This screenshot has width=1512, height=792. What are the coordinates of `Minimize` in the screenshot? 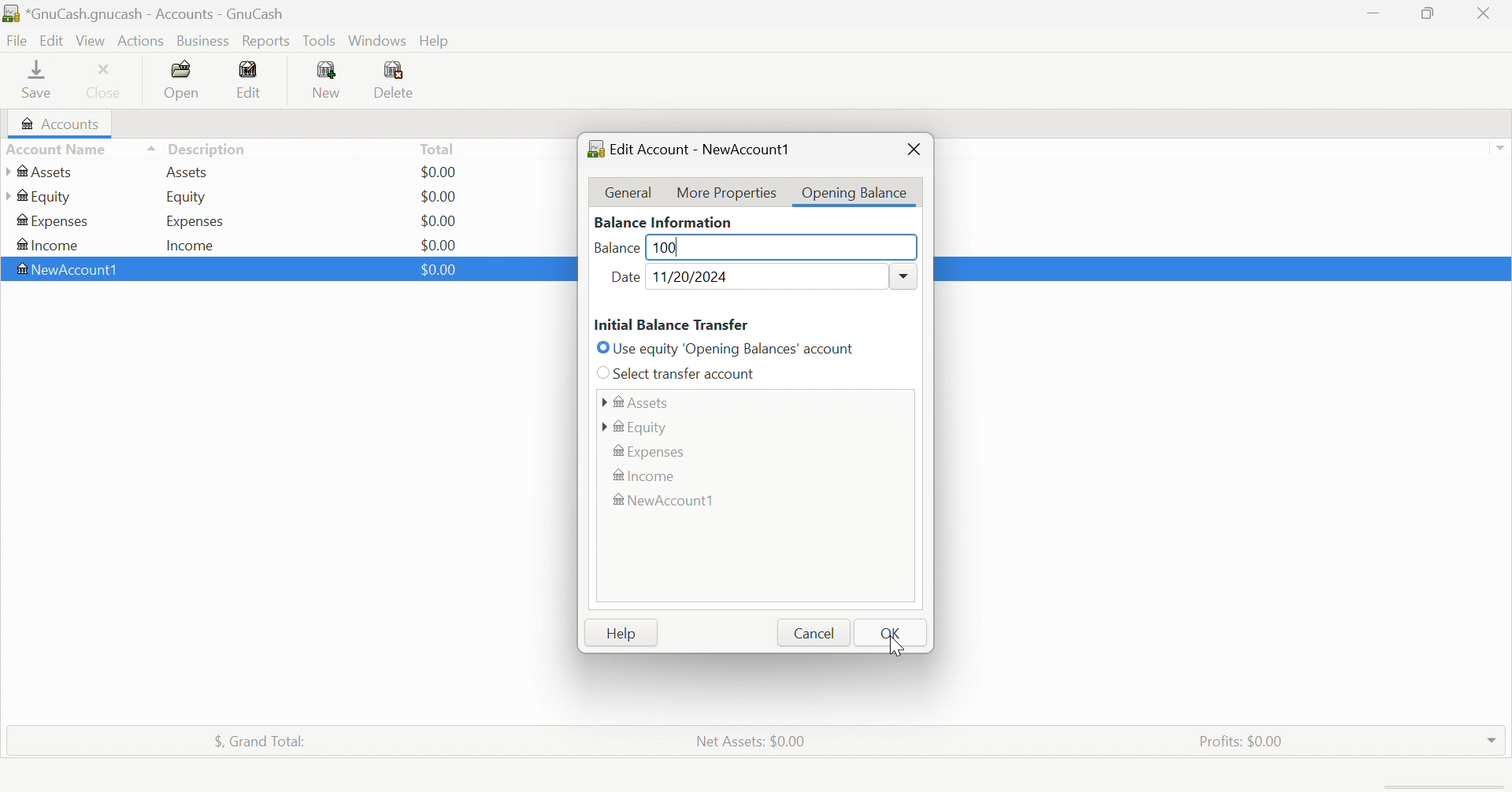 It's located at (1373, 13).